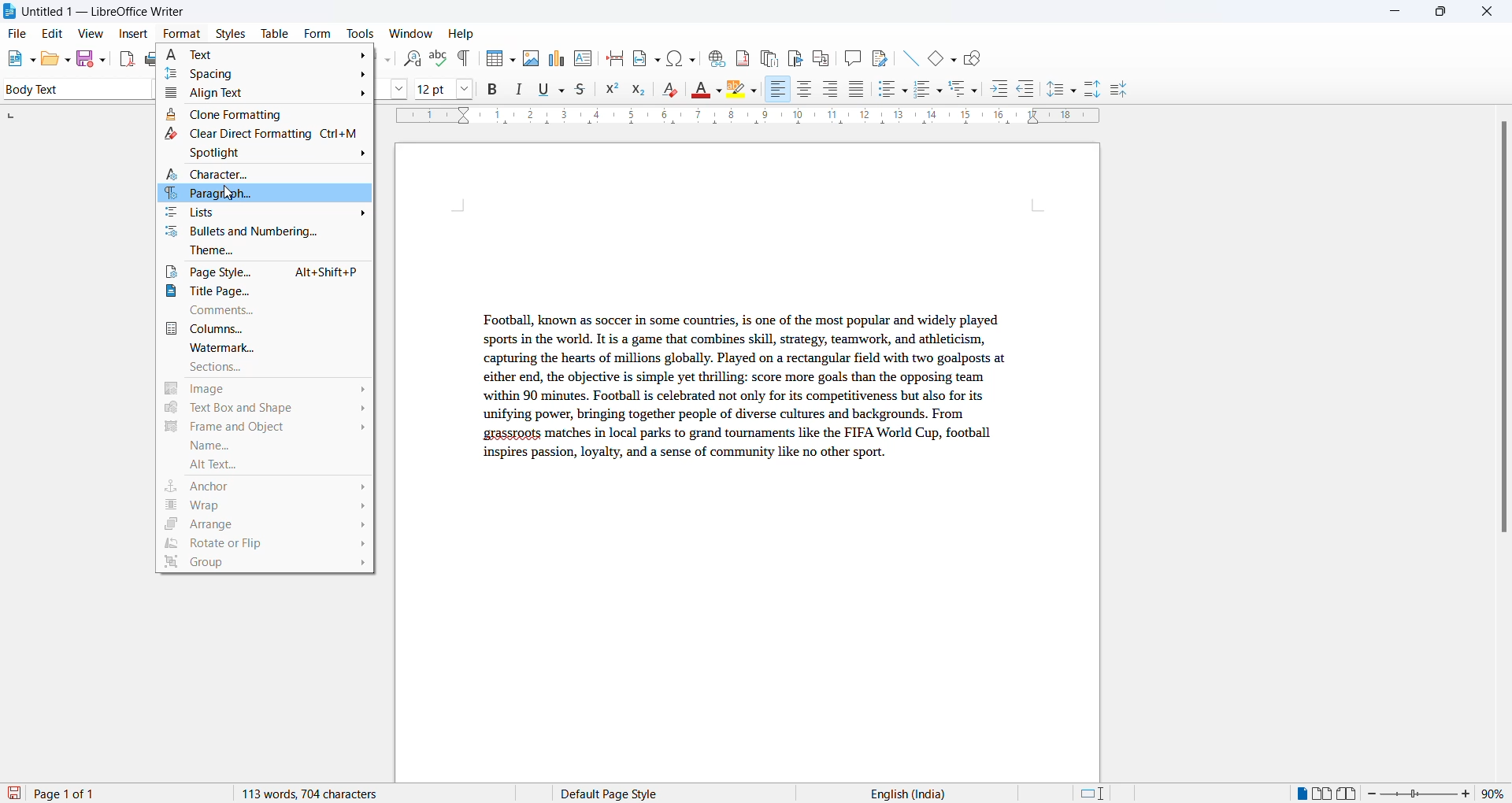  What do you see at coordinates (1094, 794) in the screenshot?
I see `standard selection` at bounding box center [1094, 794].